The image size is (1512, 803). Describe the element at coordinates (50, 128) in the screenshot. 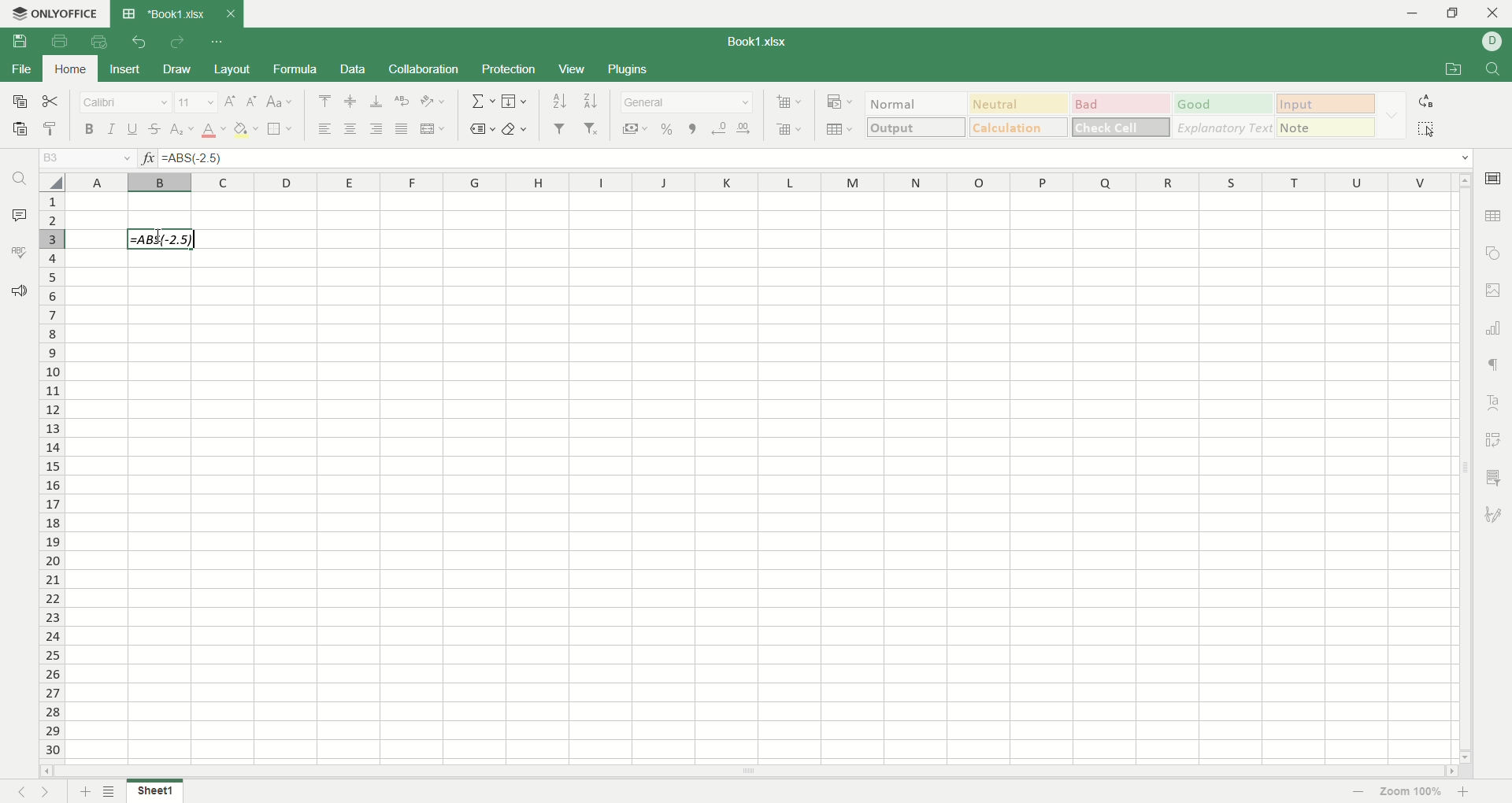

I see `copy style` at that location.